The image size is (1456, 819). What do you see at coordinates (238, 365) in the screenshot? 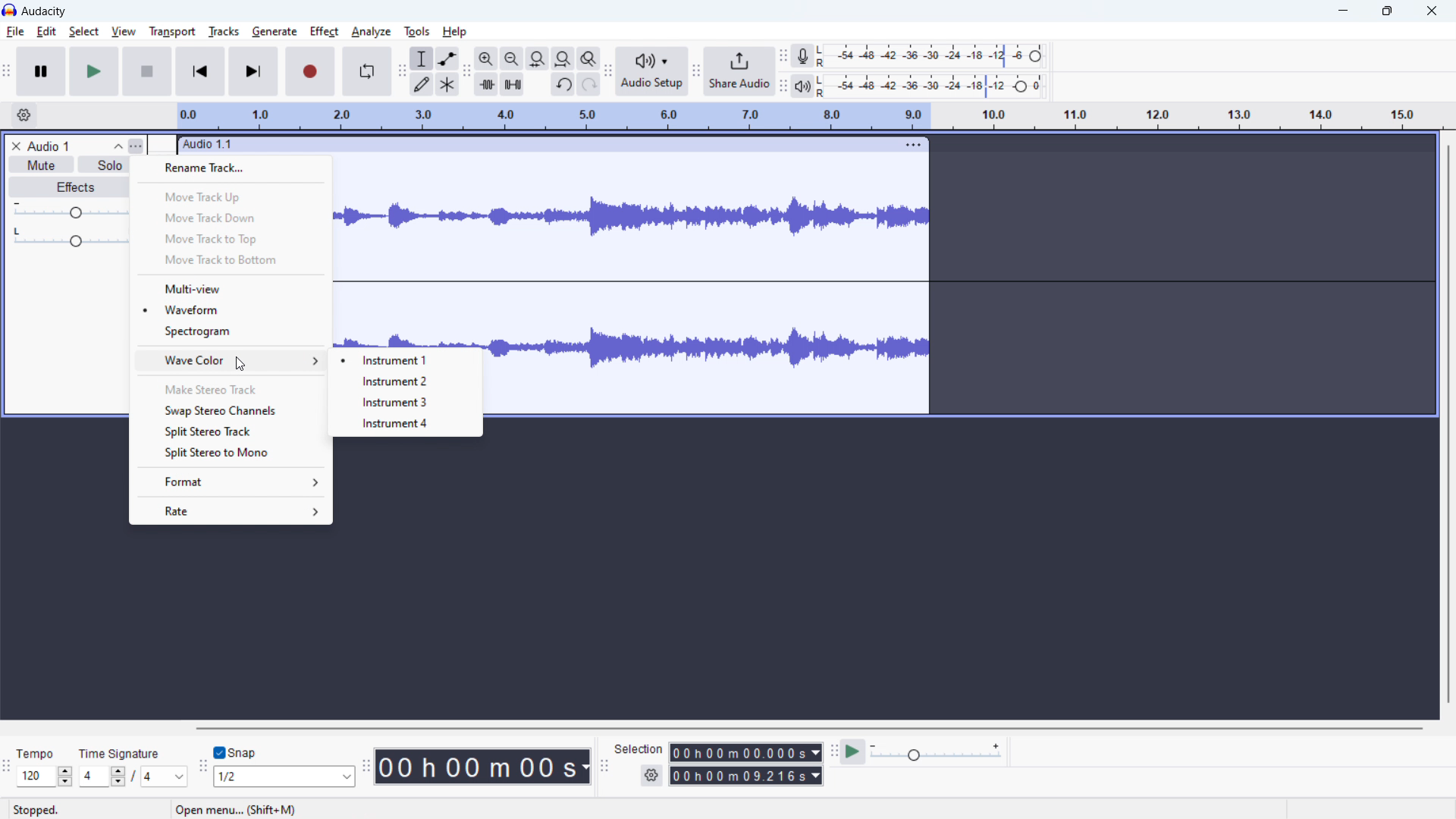
I see `cursor` at bounding box center [238, 365].